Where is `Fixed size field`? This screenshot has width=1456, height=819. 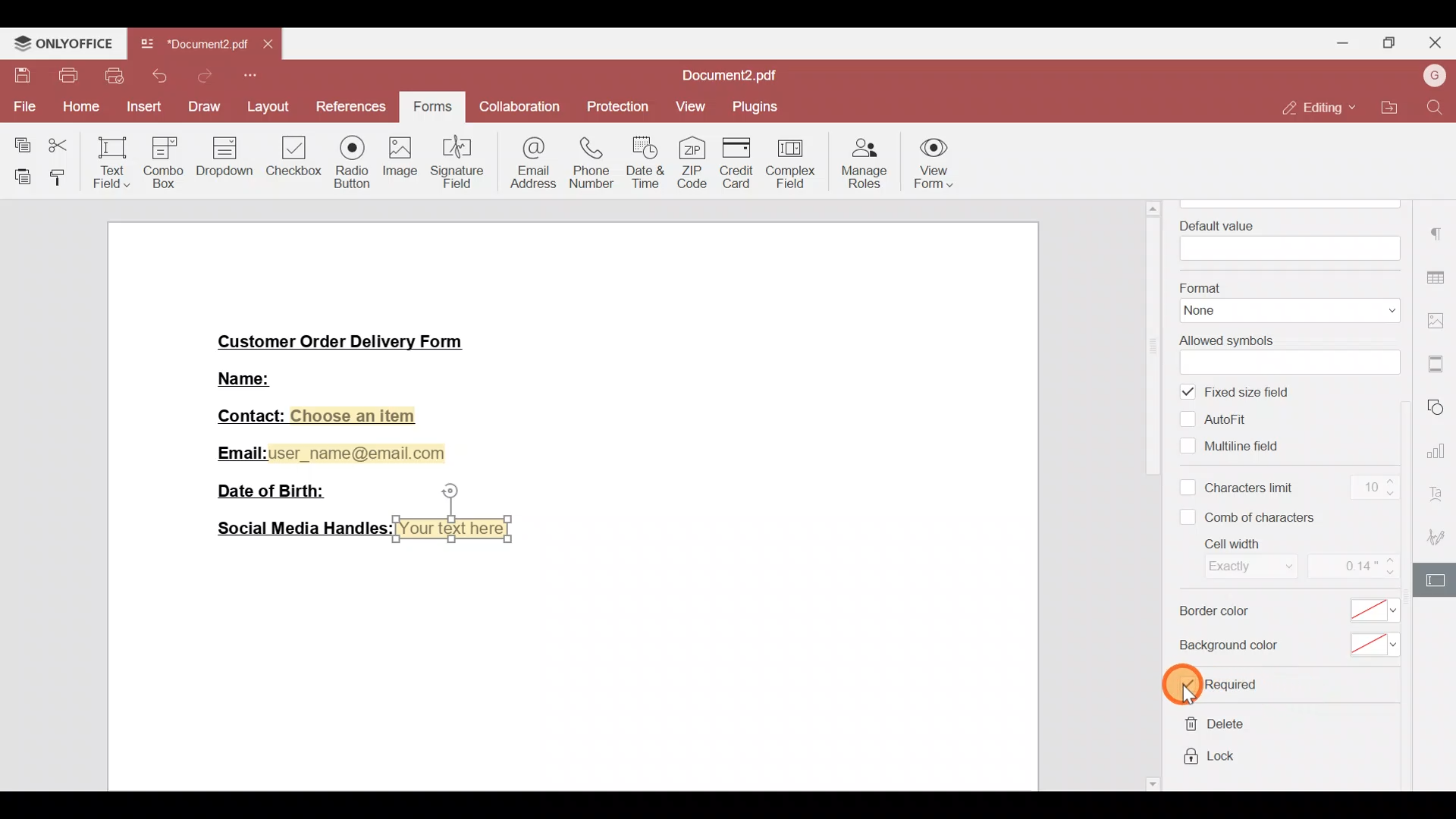 Fixed size field is located at coordinates (1249, 393).